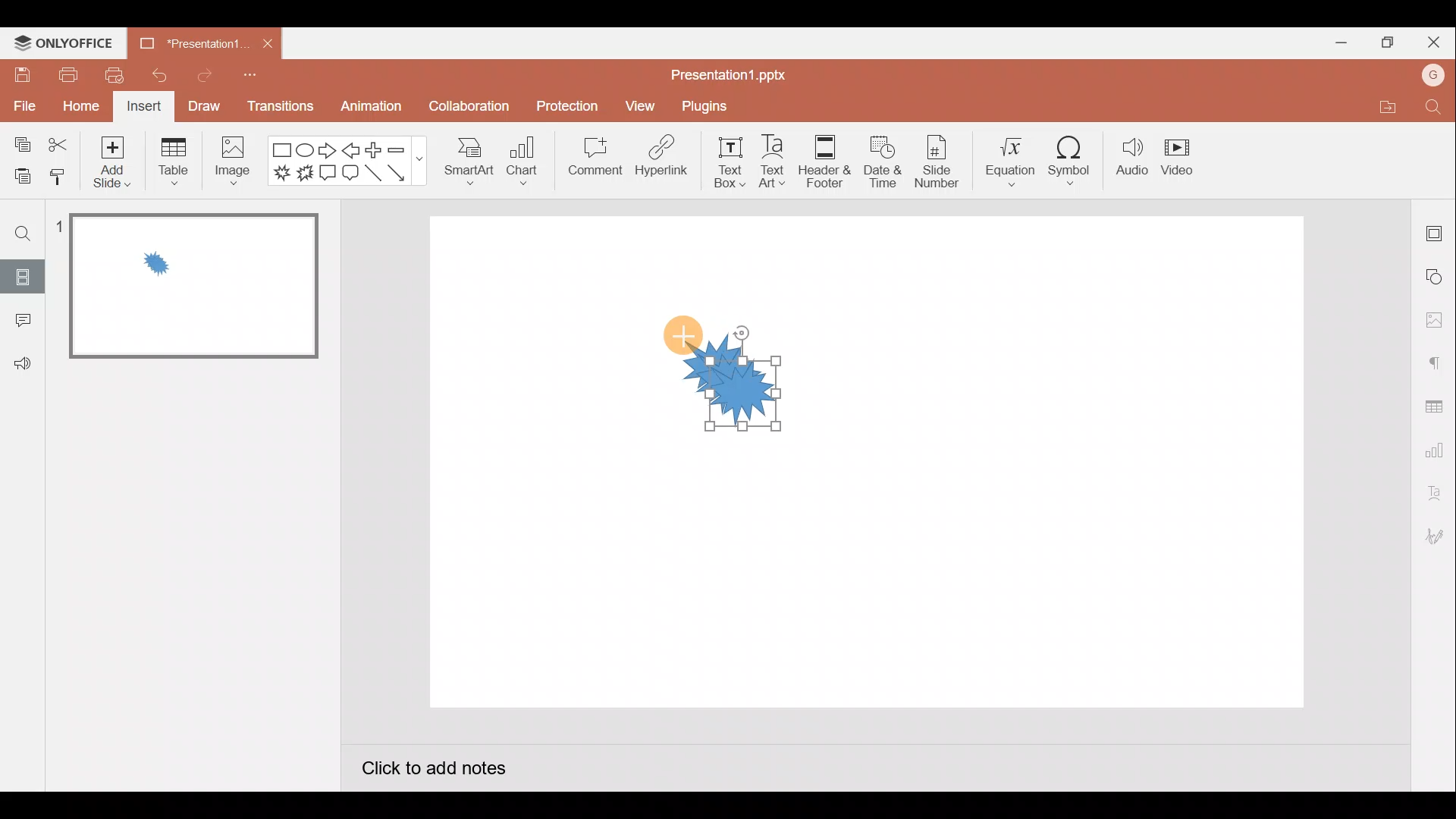  Describe the element at coordinates (270, 43) in the screenshot. I see `Close` at that location.